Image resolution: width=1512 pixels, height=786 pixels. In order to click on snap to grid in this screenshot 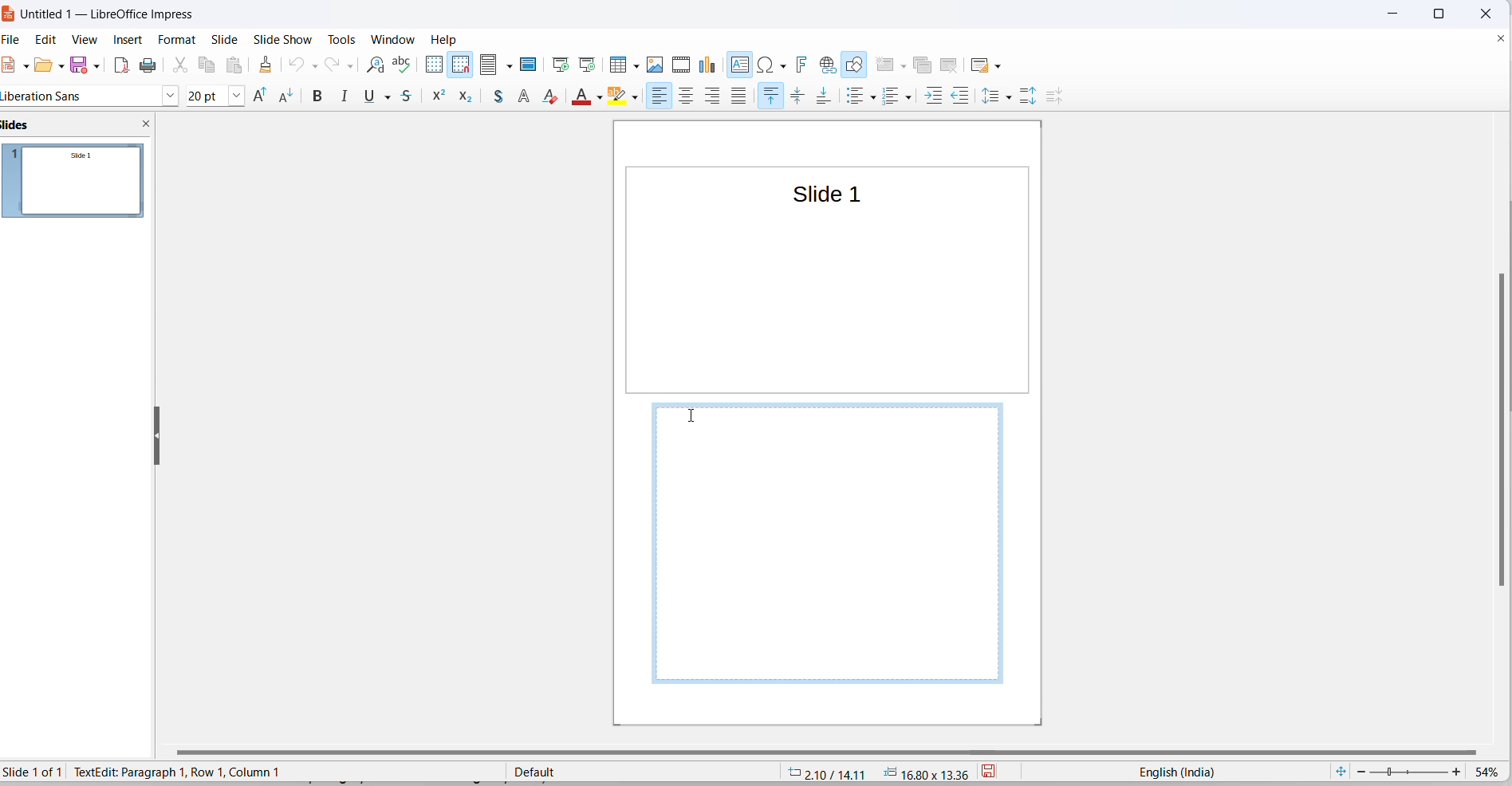, I will do `click(460, 65)`.